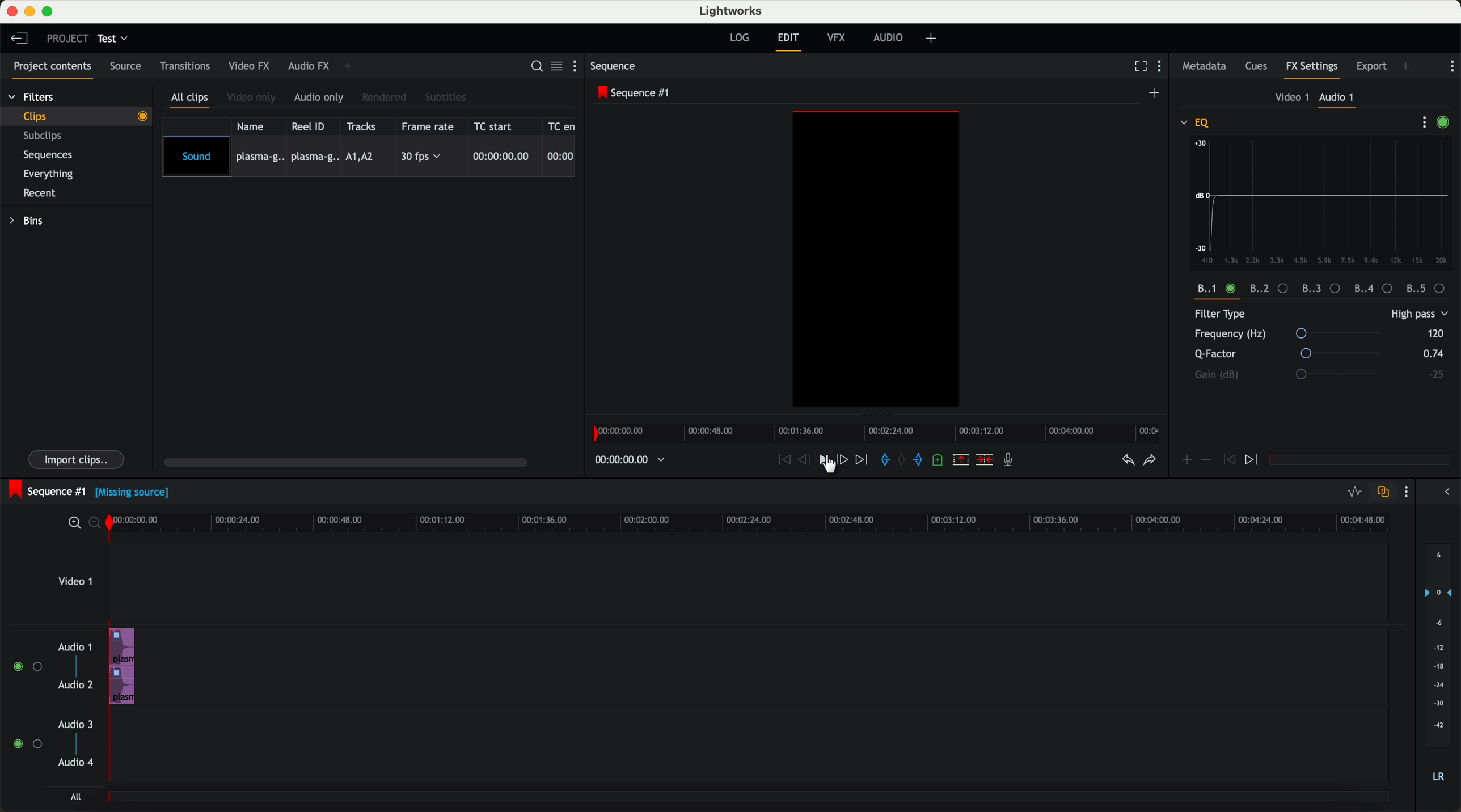  Describe the element at coordinates (369, 157) in the screenshot. I see `imported sound` at that location.